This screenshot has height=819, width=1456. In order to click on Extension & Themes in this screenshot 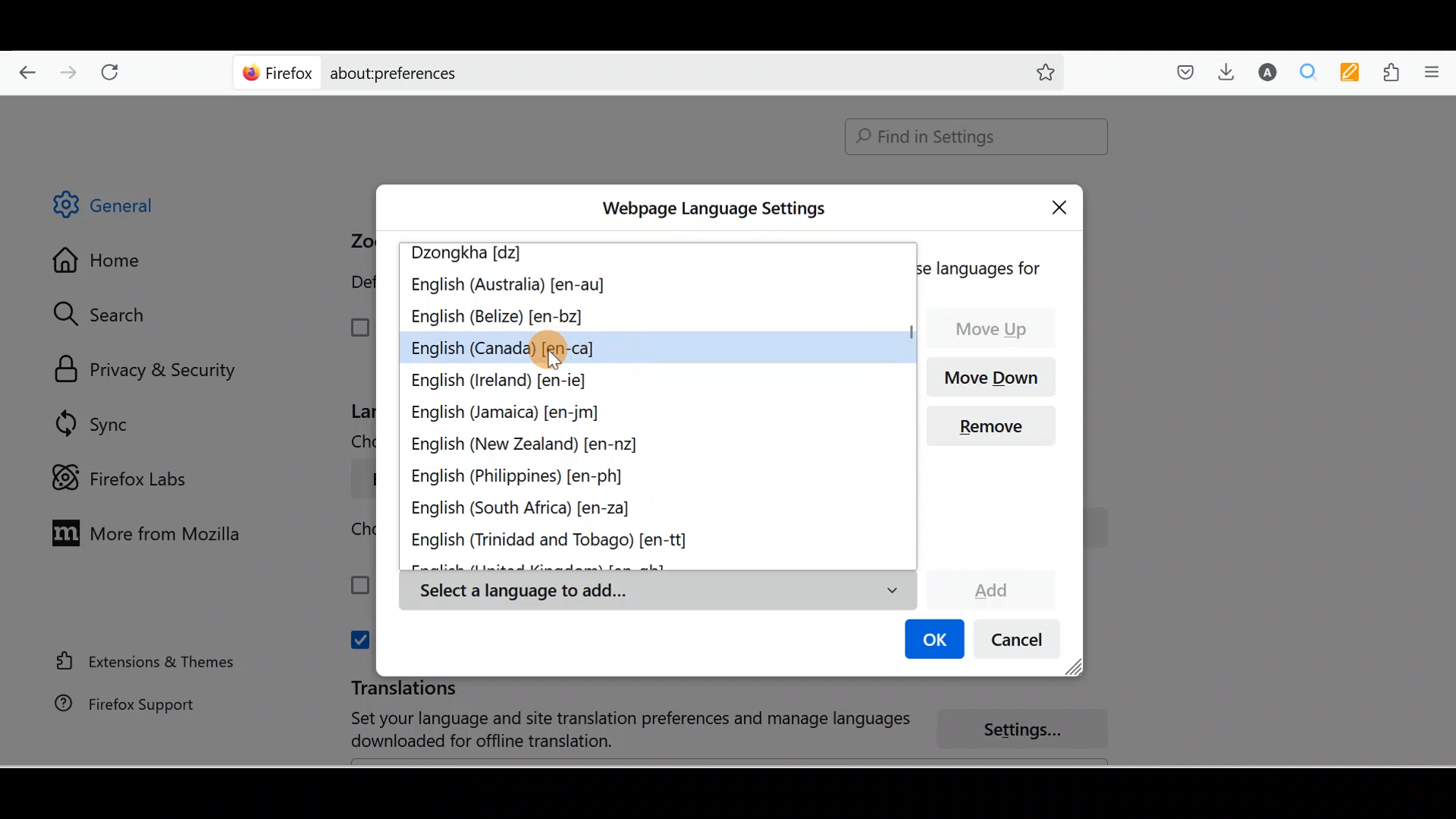, I will do `click(138, 661)`.